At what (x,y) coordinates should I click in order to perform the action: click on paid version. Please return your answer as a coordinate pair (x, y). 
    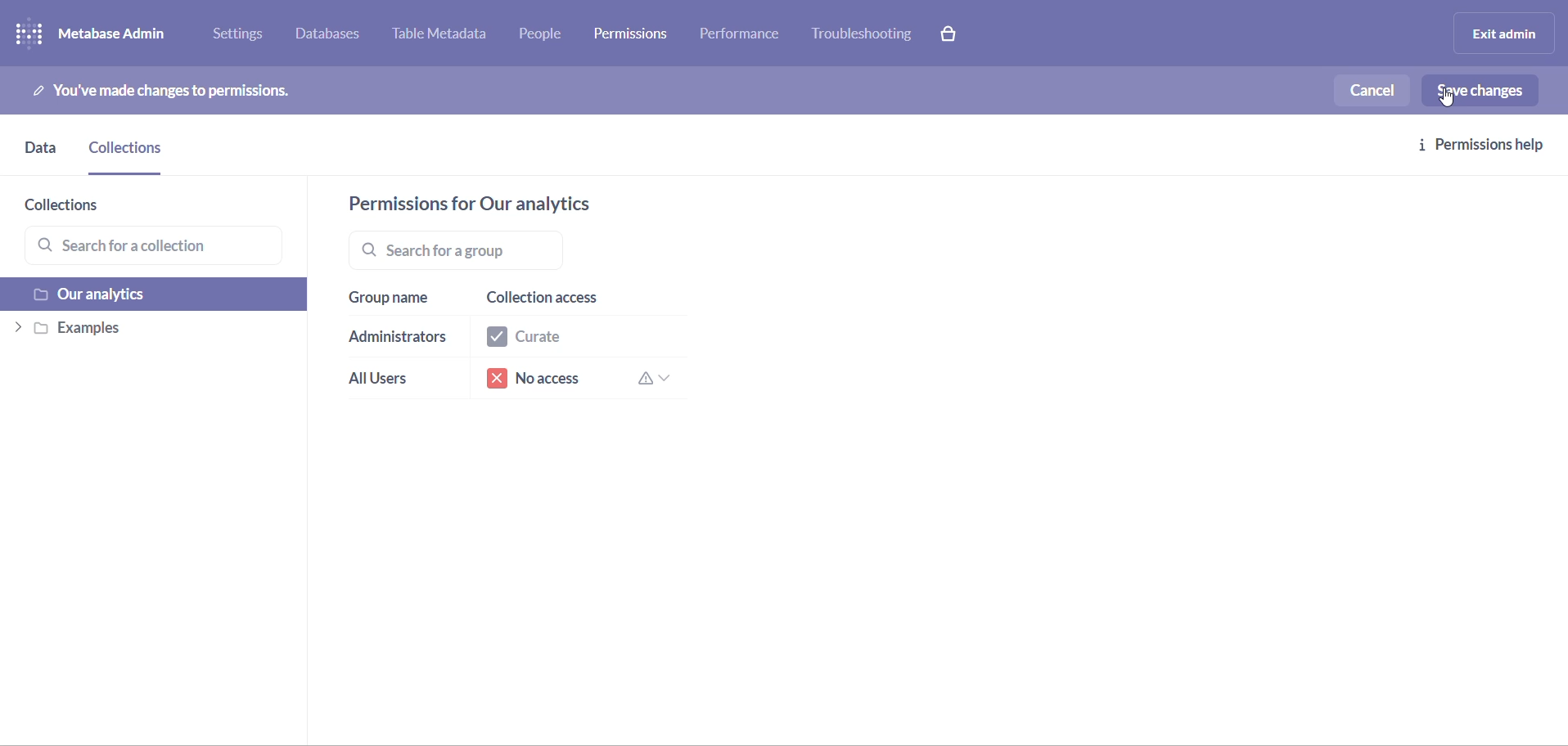
    Looking at the image, I should click on (956, 33).